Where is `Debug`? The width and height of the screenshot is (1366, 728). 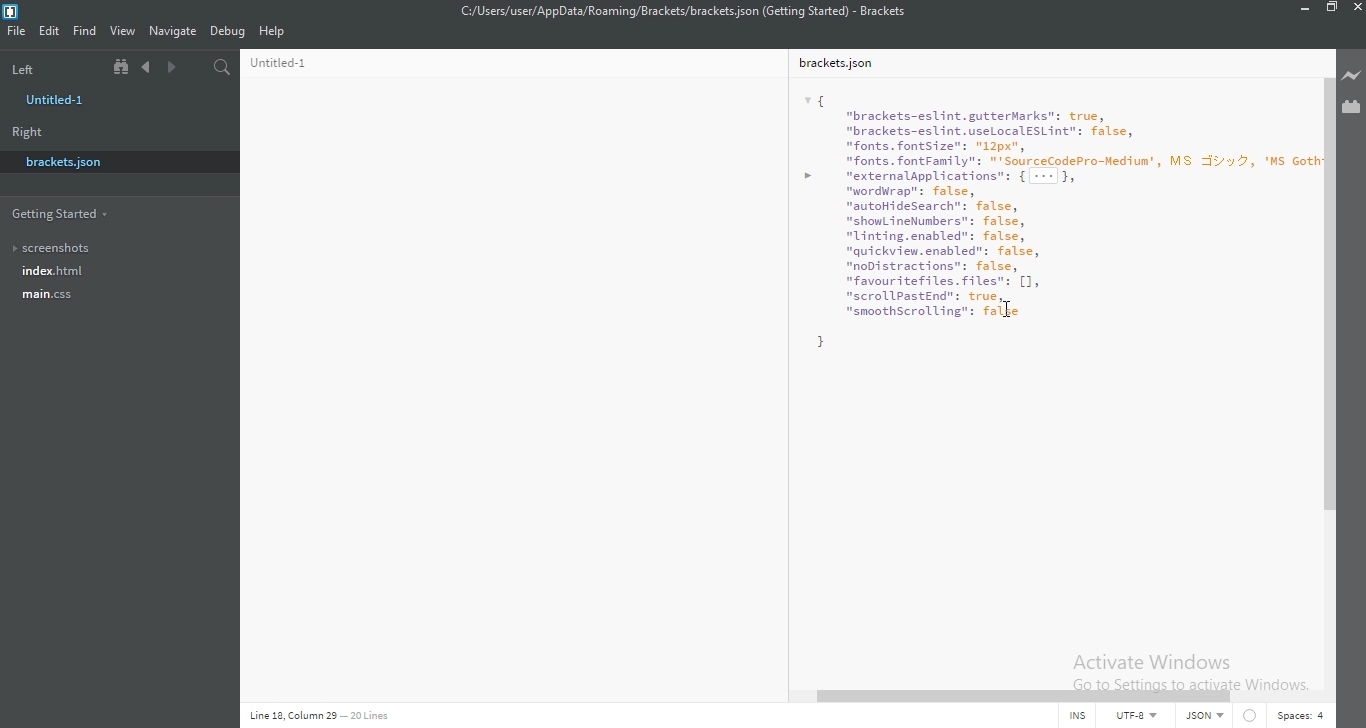
Debug is located at coordinates (229, 30).